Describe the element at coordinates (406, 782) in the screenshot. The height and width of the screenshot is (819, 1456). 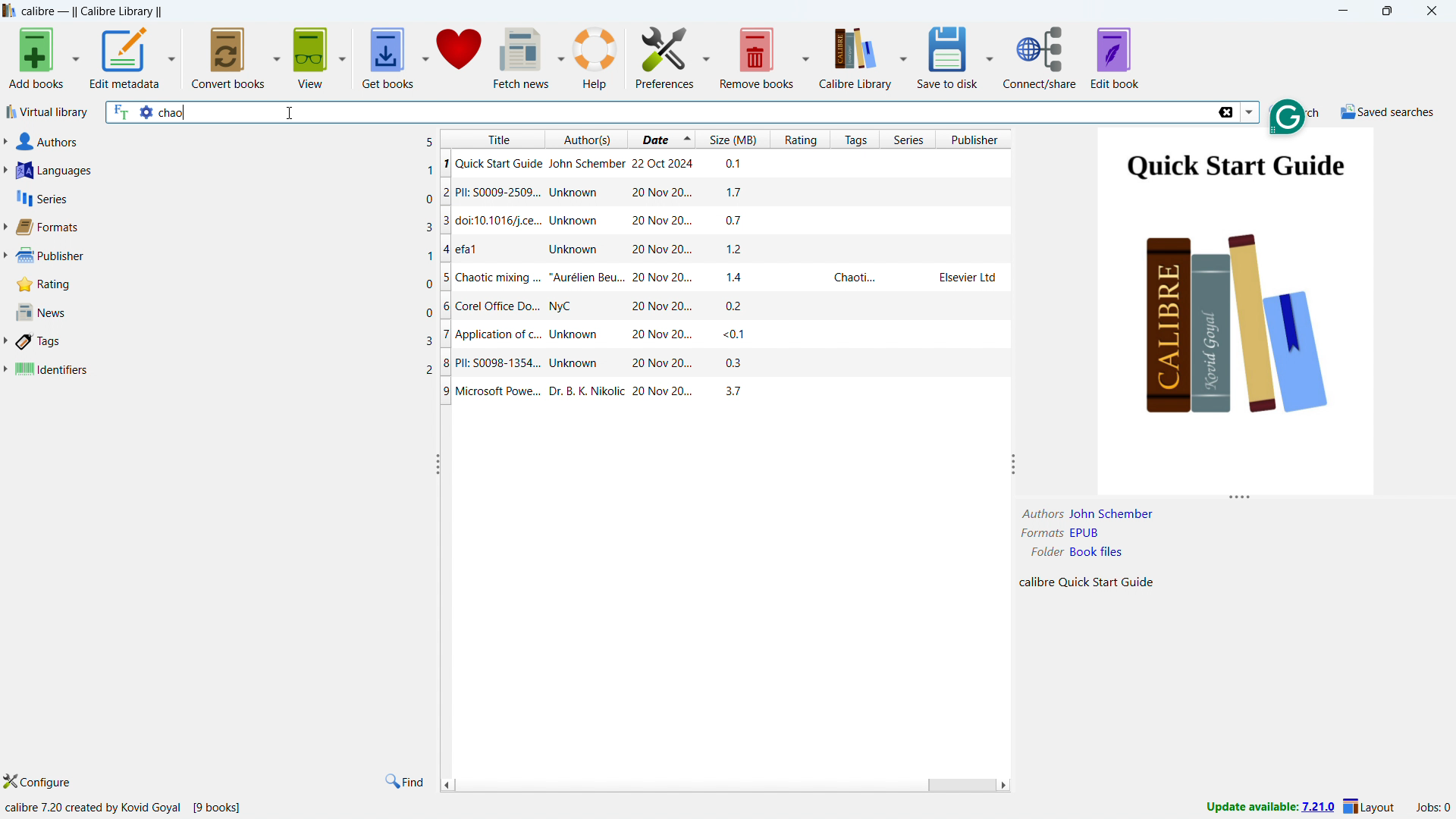
I see `find in tags` at that location.